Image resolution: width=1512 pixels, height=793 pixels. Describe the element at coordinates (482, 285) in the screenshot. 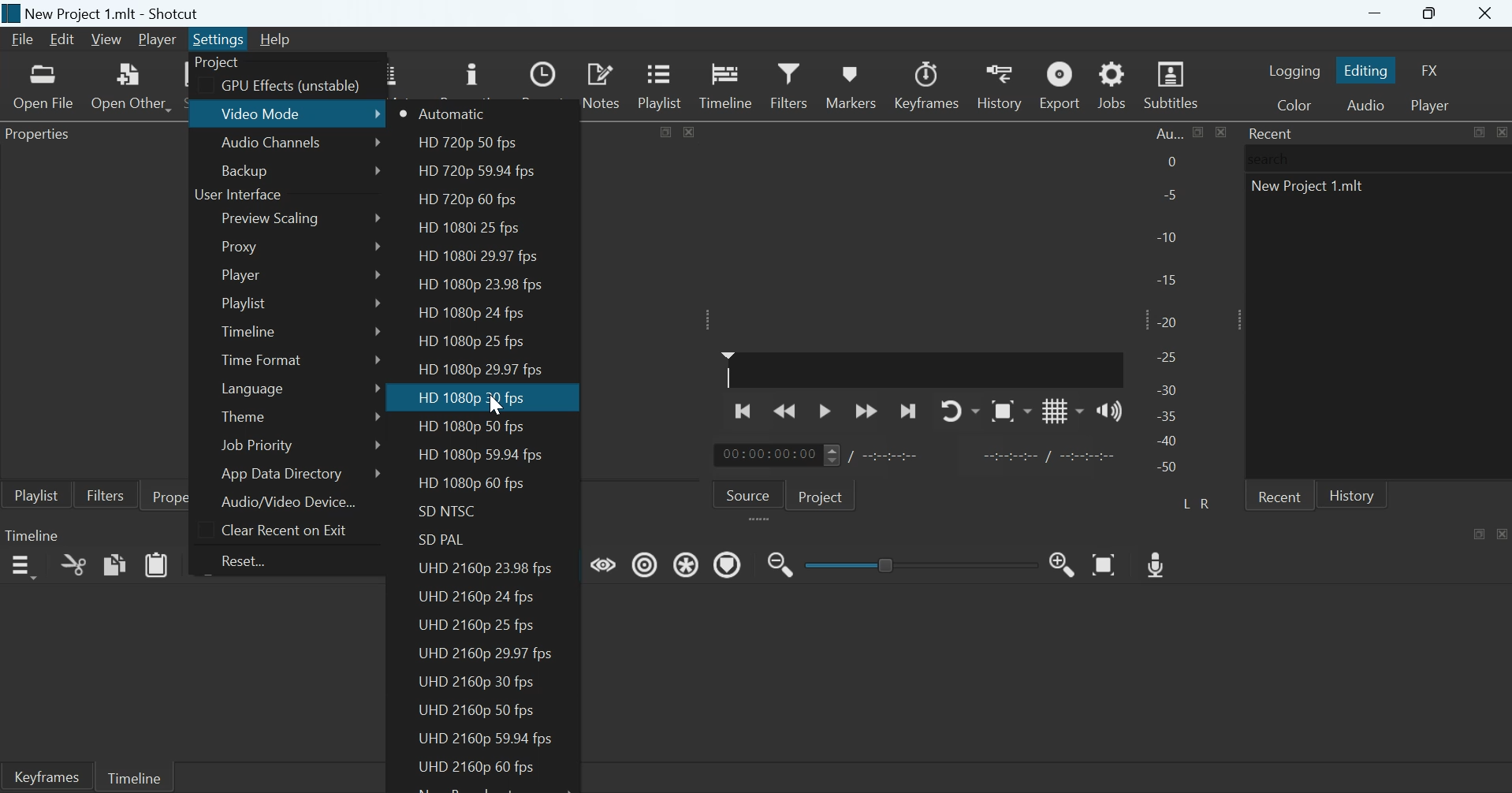

I see `HD 1080p 23.98fps` at that location.